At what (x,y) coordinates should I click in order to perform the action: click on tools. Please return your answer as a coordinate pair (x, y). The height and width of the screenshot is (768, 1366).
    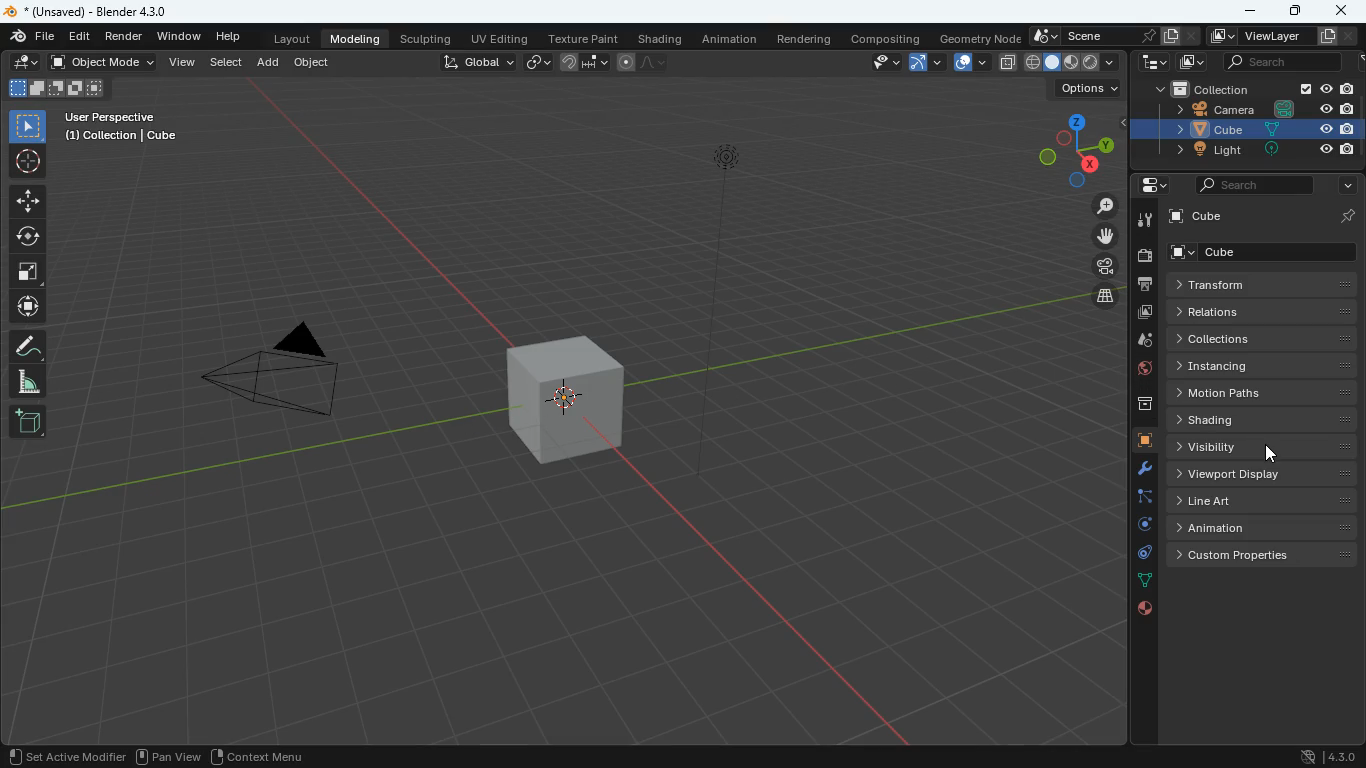
    Looking at the image, I should click on (1144, 219).